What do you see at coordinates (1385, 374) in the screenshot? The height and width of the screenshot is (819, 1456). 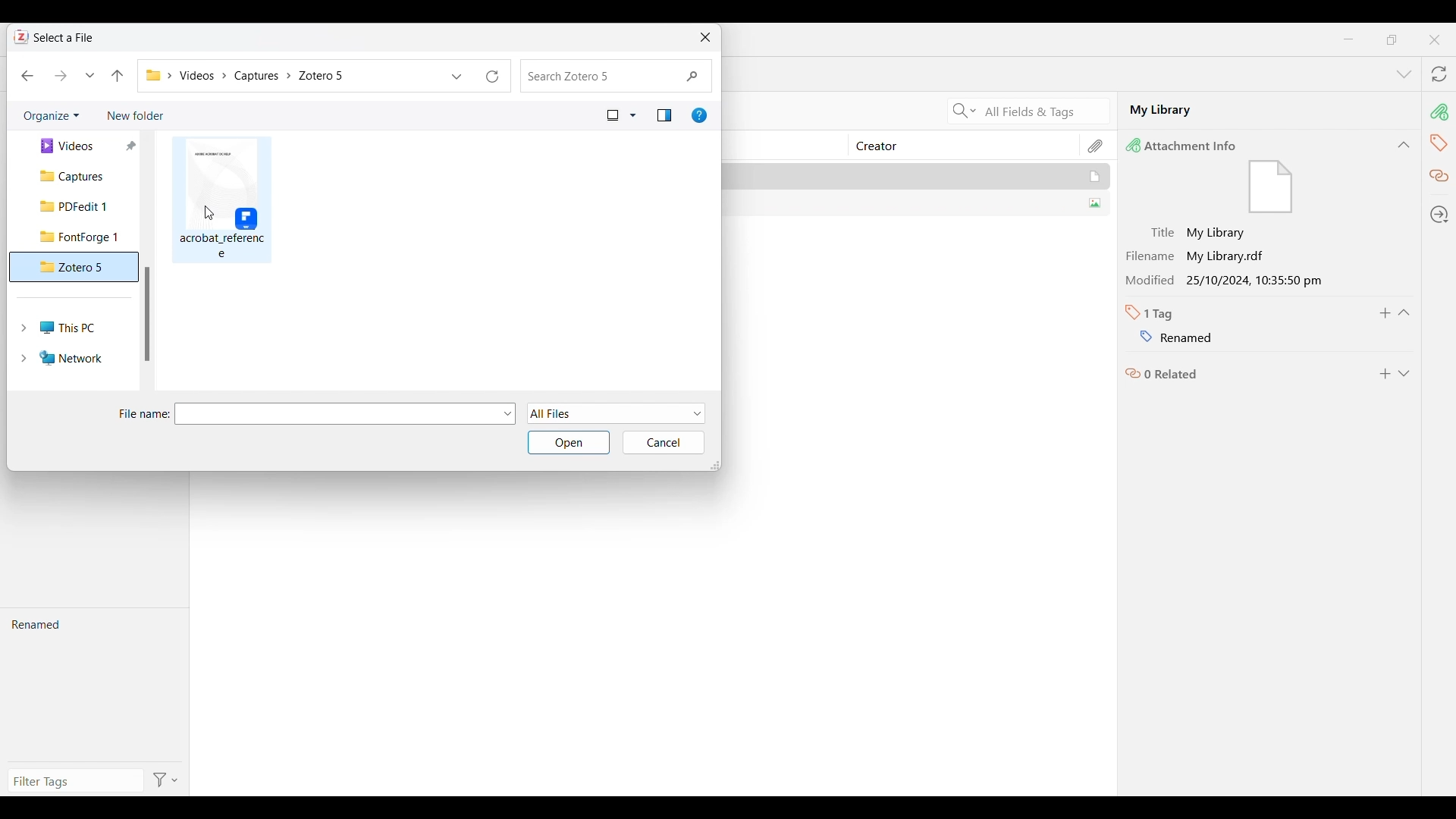 I see `Add` at bounding box center [1385, 374].